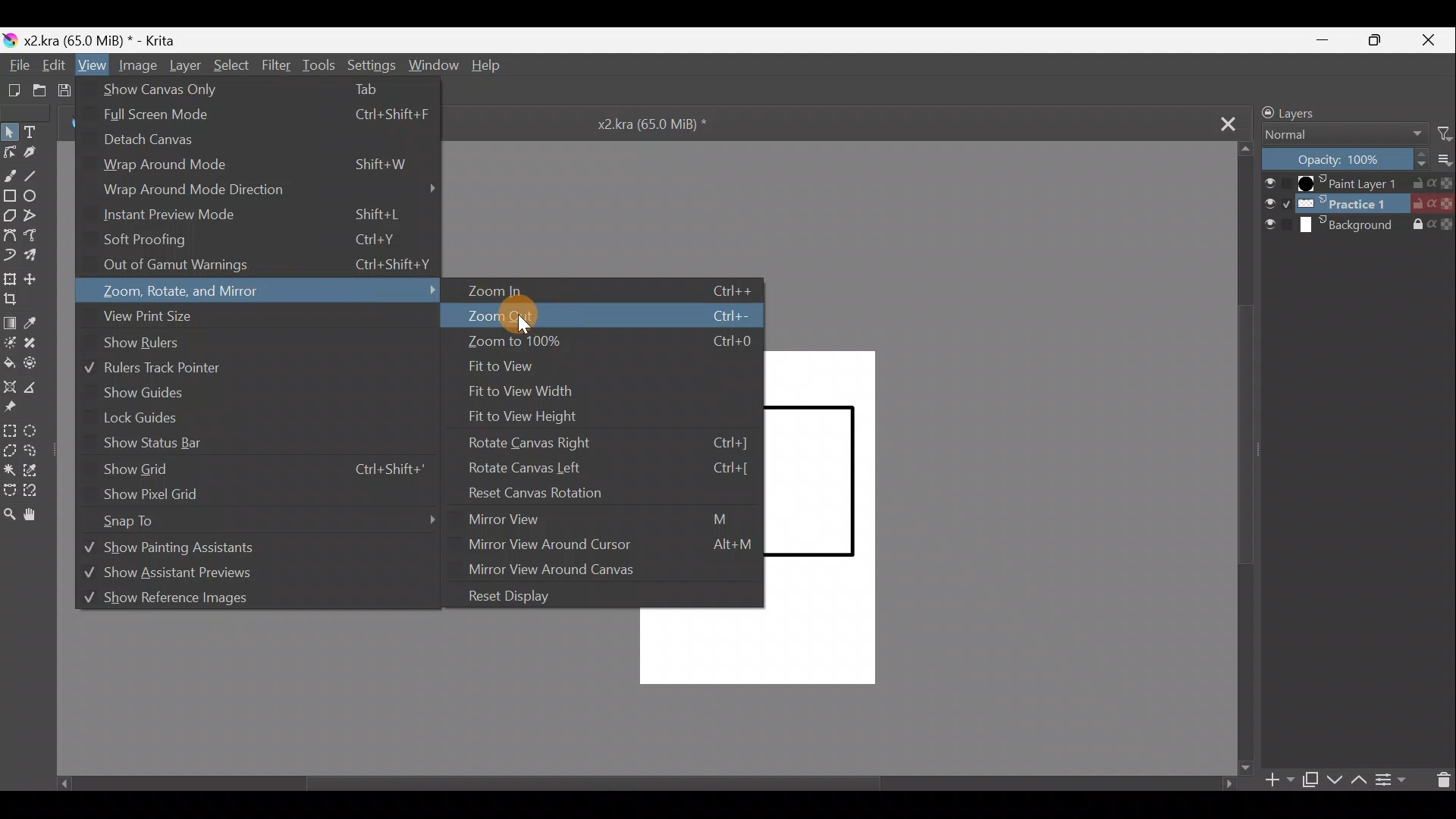 The width and height of the screenshot is (1456, 819). Describe the element at coordinates (38, 254) in the screenshot. I see `Multibrush tool` at that location.